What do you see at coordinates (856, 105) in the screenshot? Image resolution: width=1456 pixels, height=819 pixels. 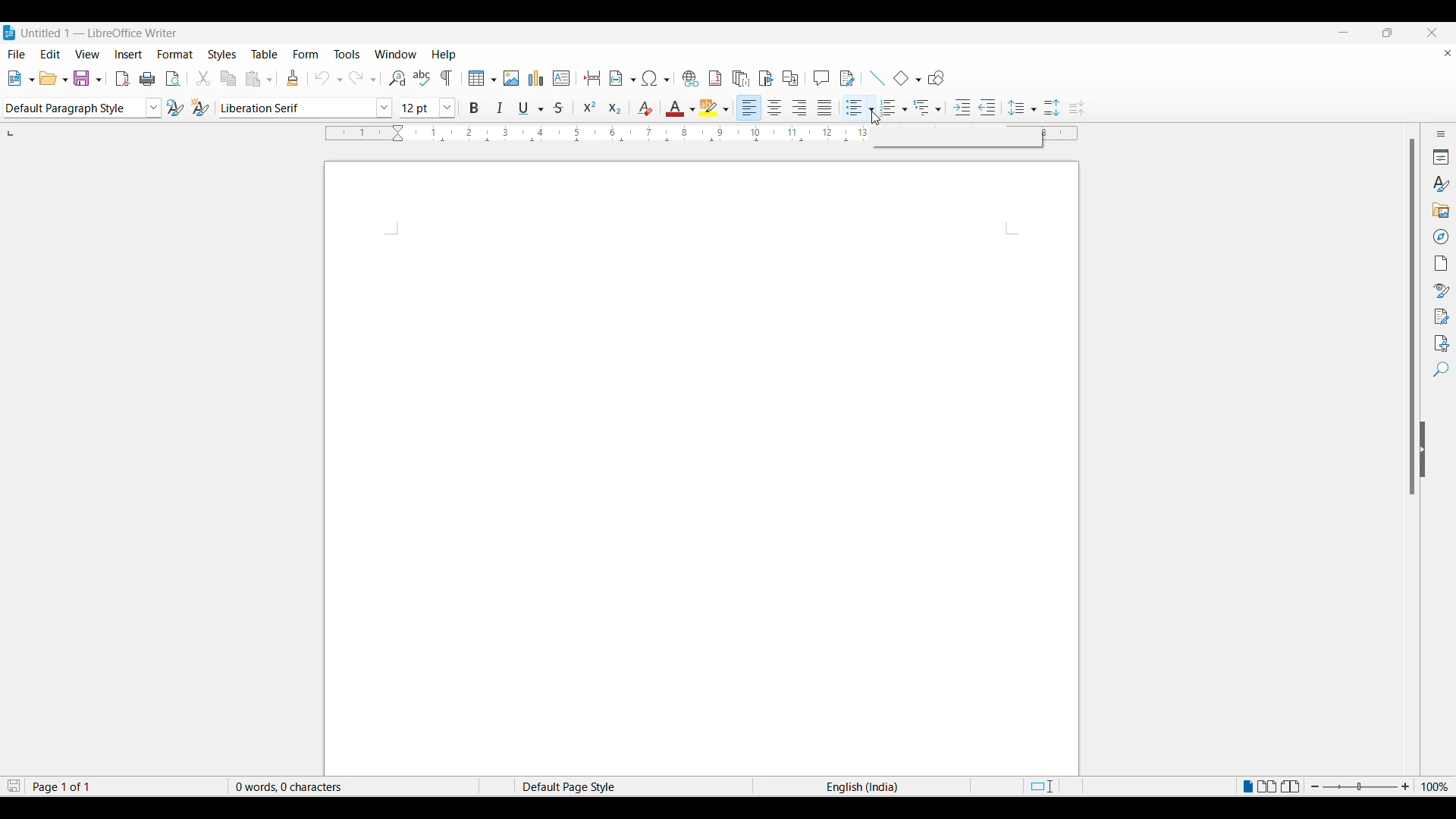 I see `Toggle unordered list` at bounding box center [856, 105].